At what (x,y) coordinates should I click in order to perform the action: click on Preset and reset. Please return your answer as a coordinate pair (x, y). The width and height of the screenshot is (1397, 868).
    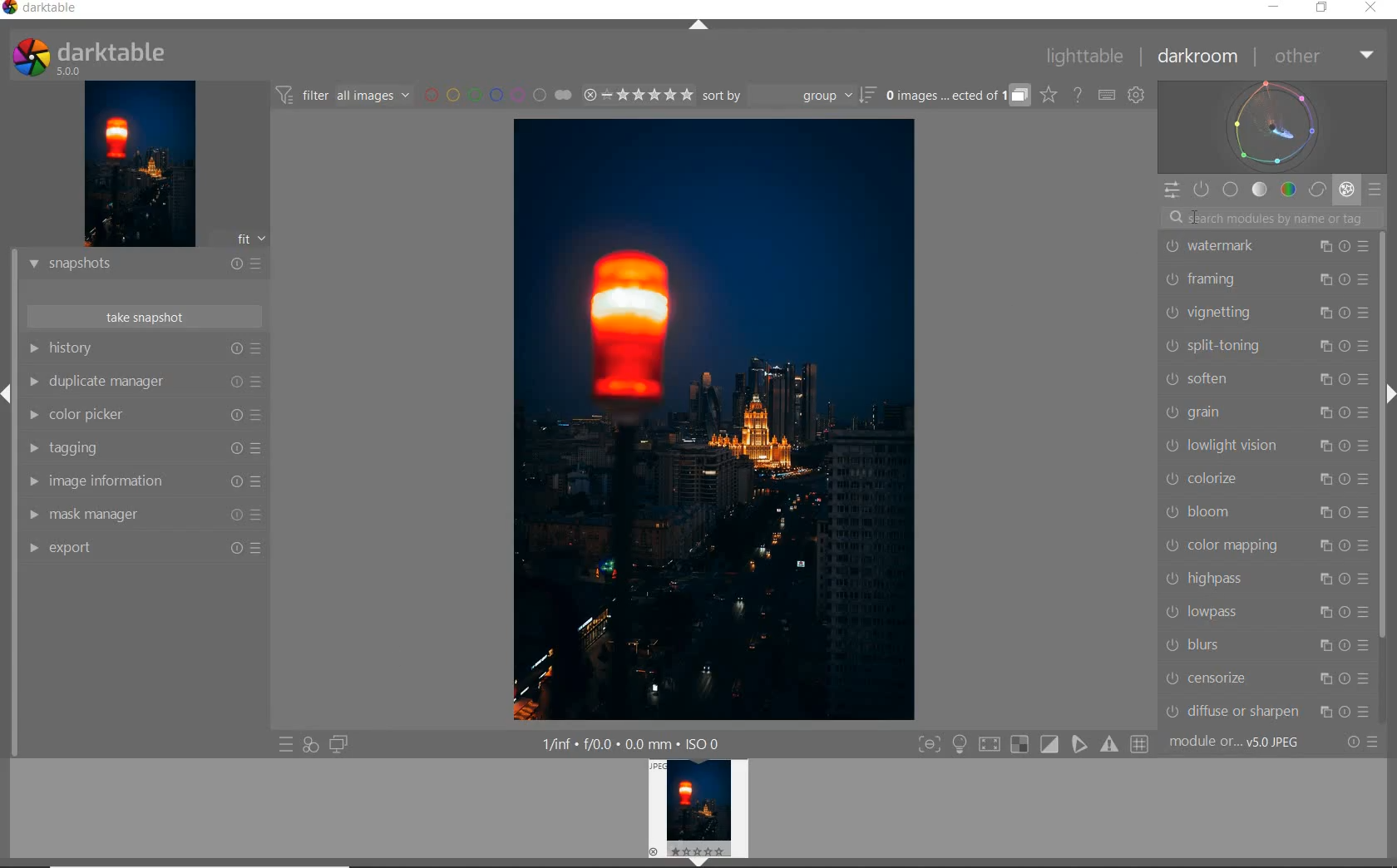
    Looking at the image, I should click on (259, 448).